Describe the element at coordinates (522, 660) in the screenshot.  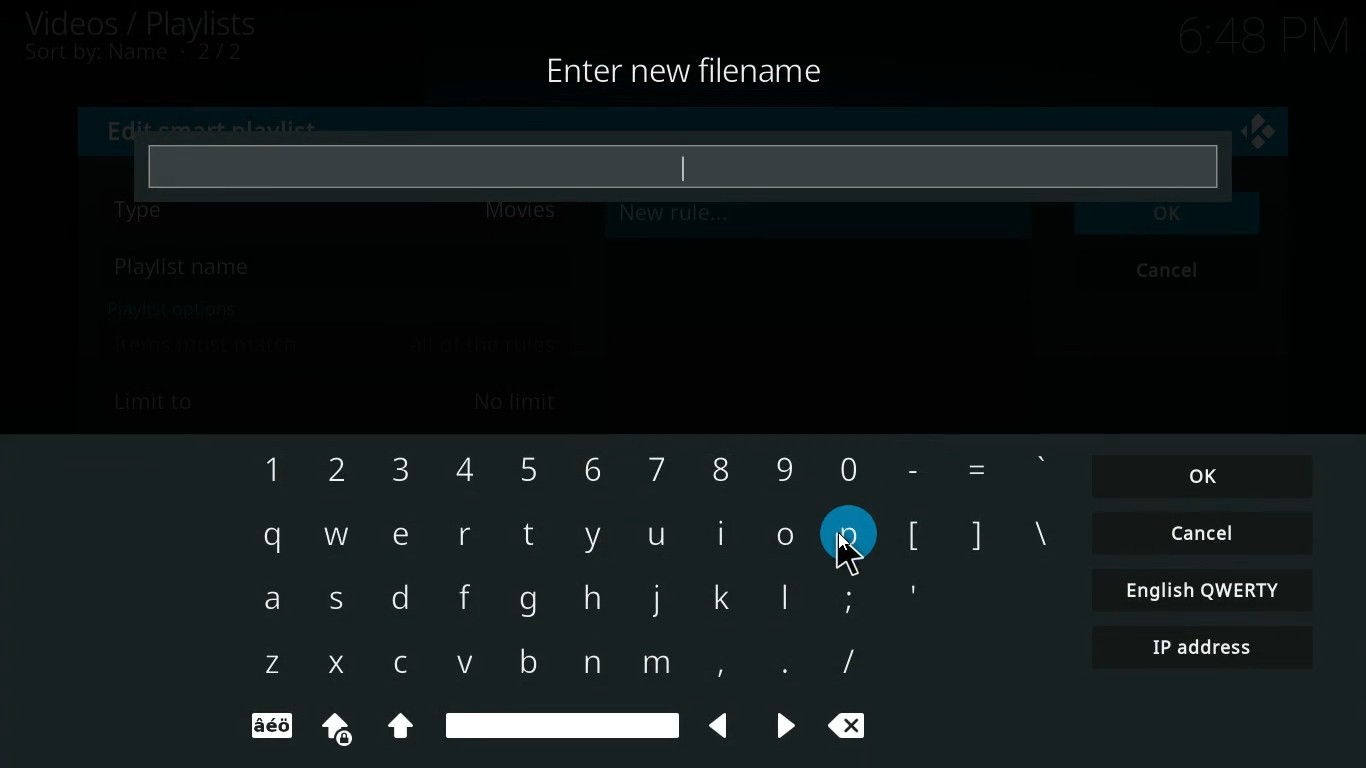
I see `b` at that location.